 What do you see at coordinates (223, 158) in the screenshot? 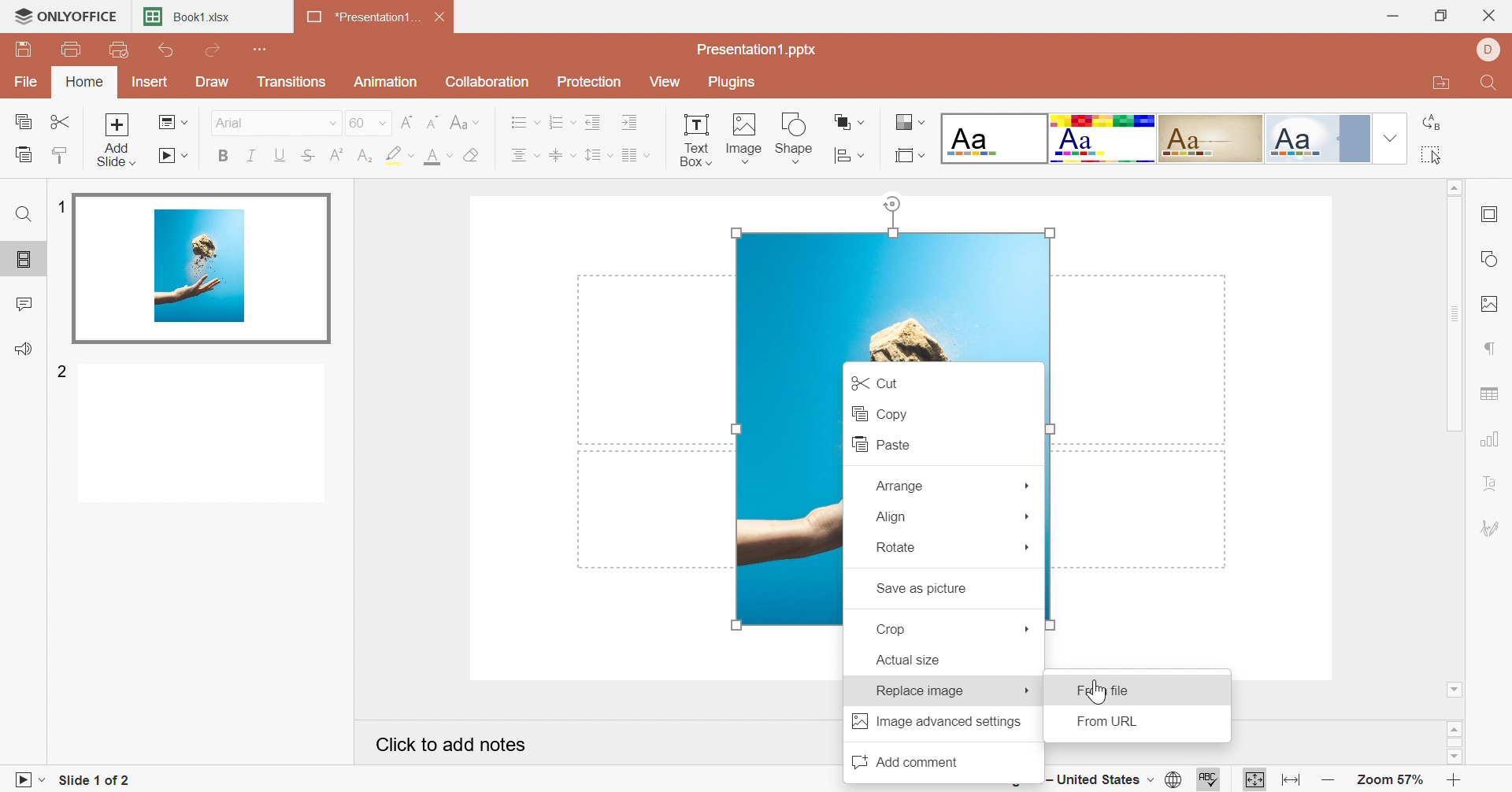
I see `Bold` at bounding box center [223, 158].